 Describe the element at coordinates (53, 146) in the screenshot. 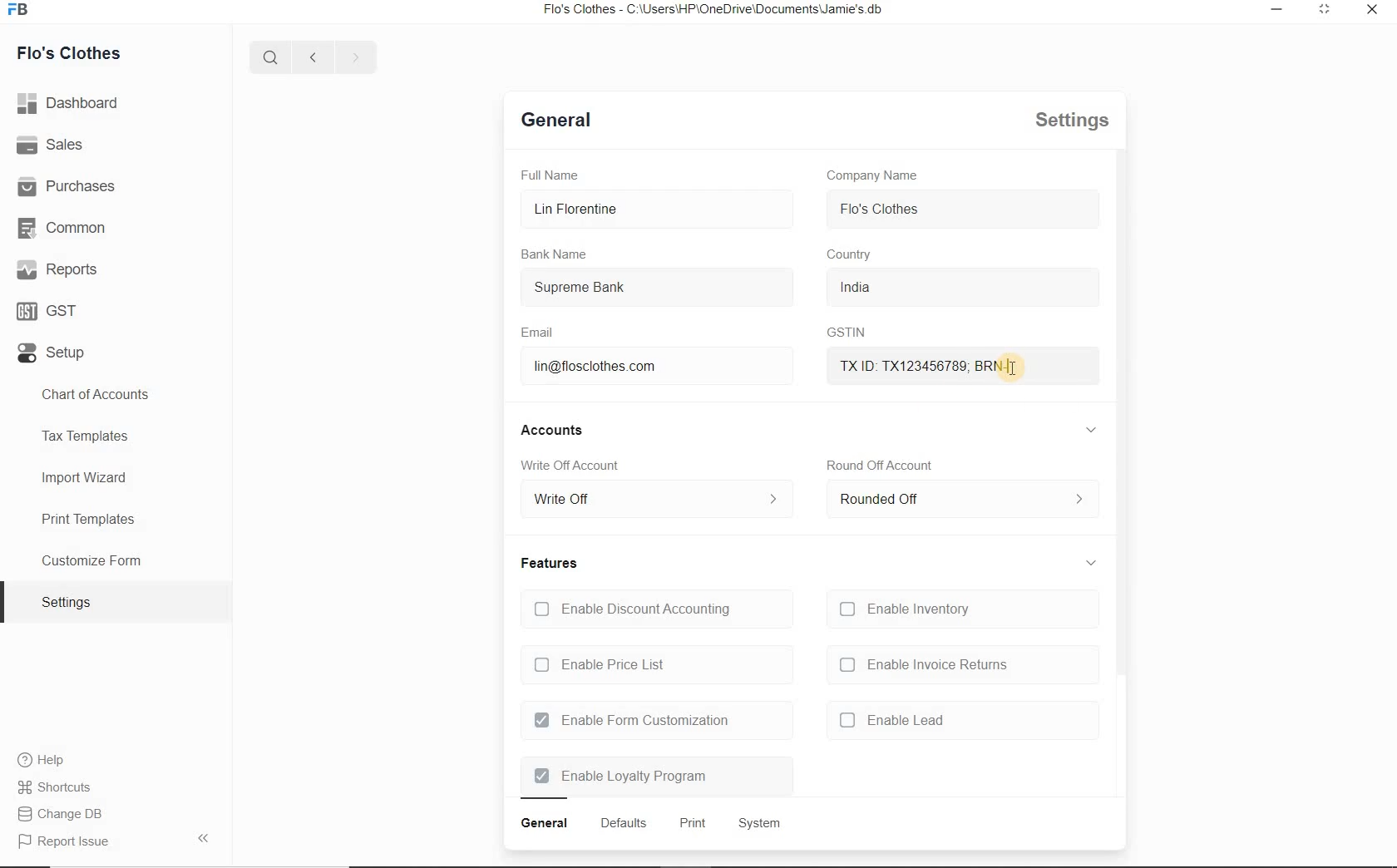

I see `Sales` at that location.